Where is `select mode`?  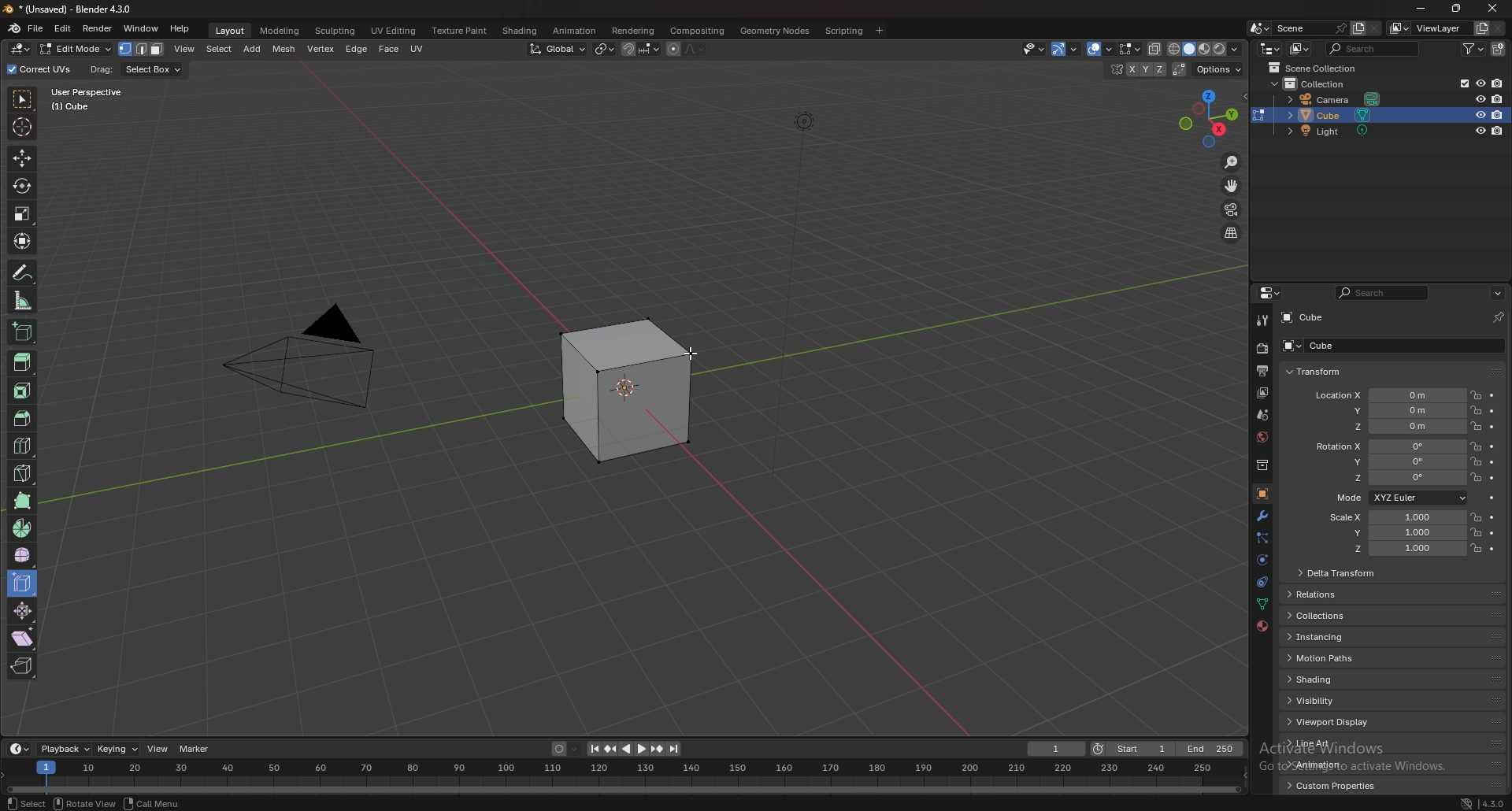 select mode is located at coordinates (142, 50).